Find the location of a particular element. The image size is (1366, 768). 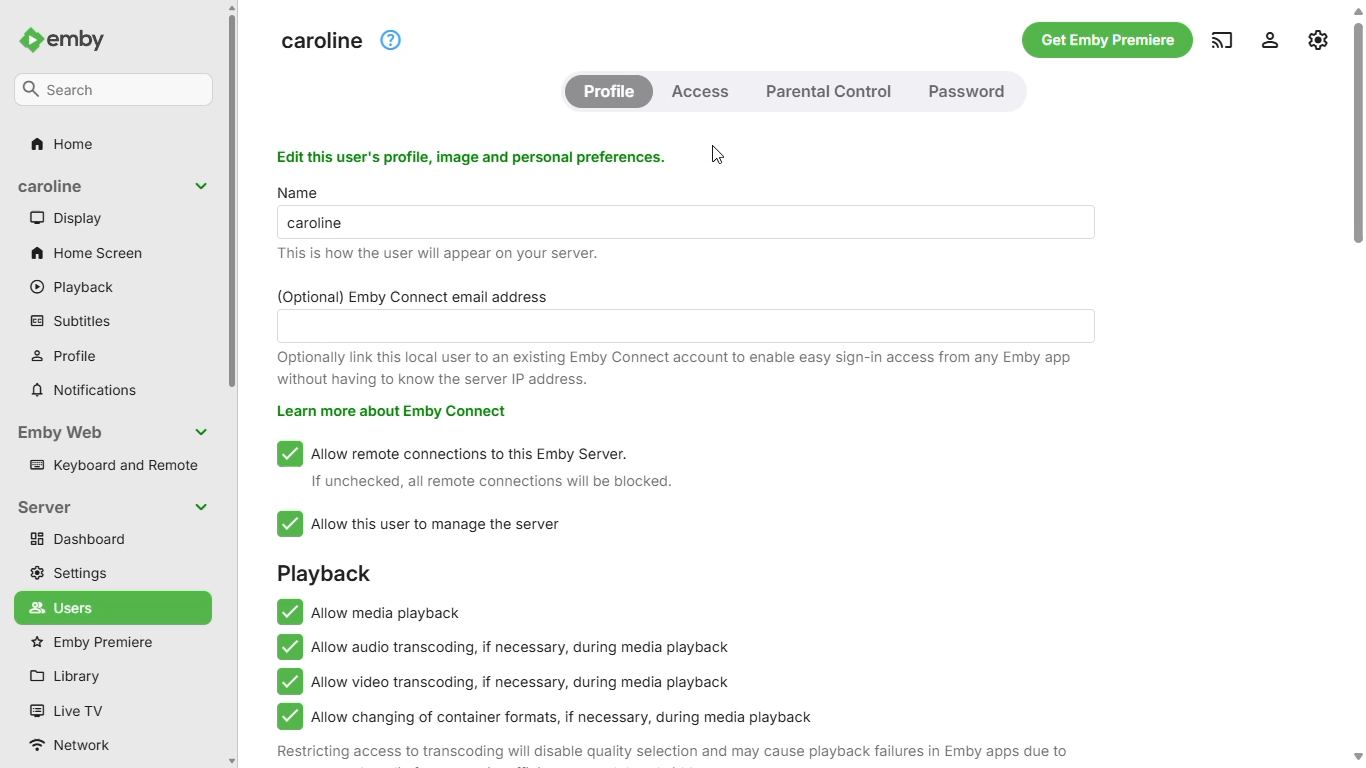

allow audio transcoding, if necessary, during media playback is located at coordinates (502, 647).